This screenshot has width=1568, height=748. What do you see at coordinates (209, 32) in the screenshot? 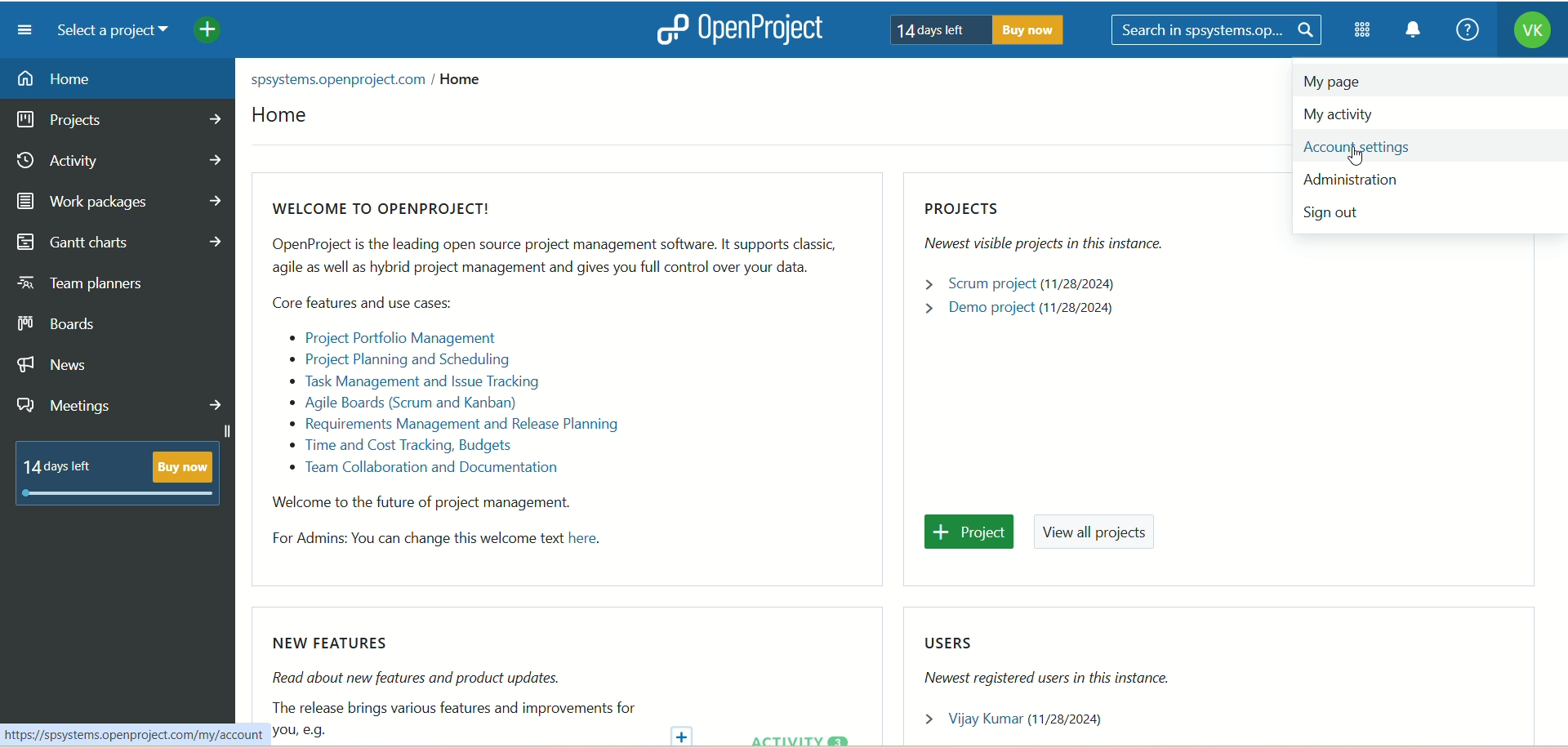
I see `add menu` at bounding box center [209, 32].